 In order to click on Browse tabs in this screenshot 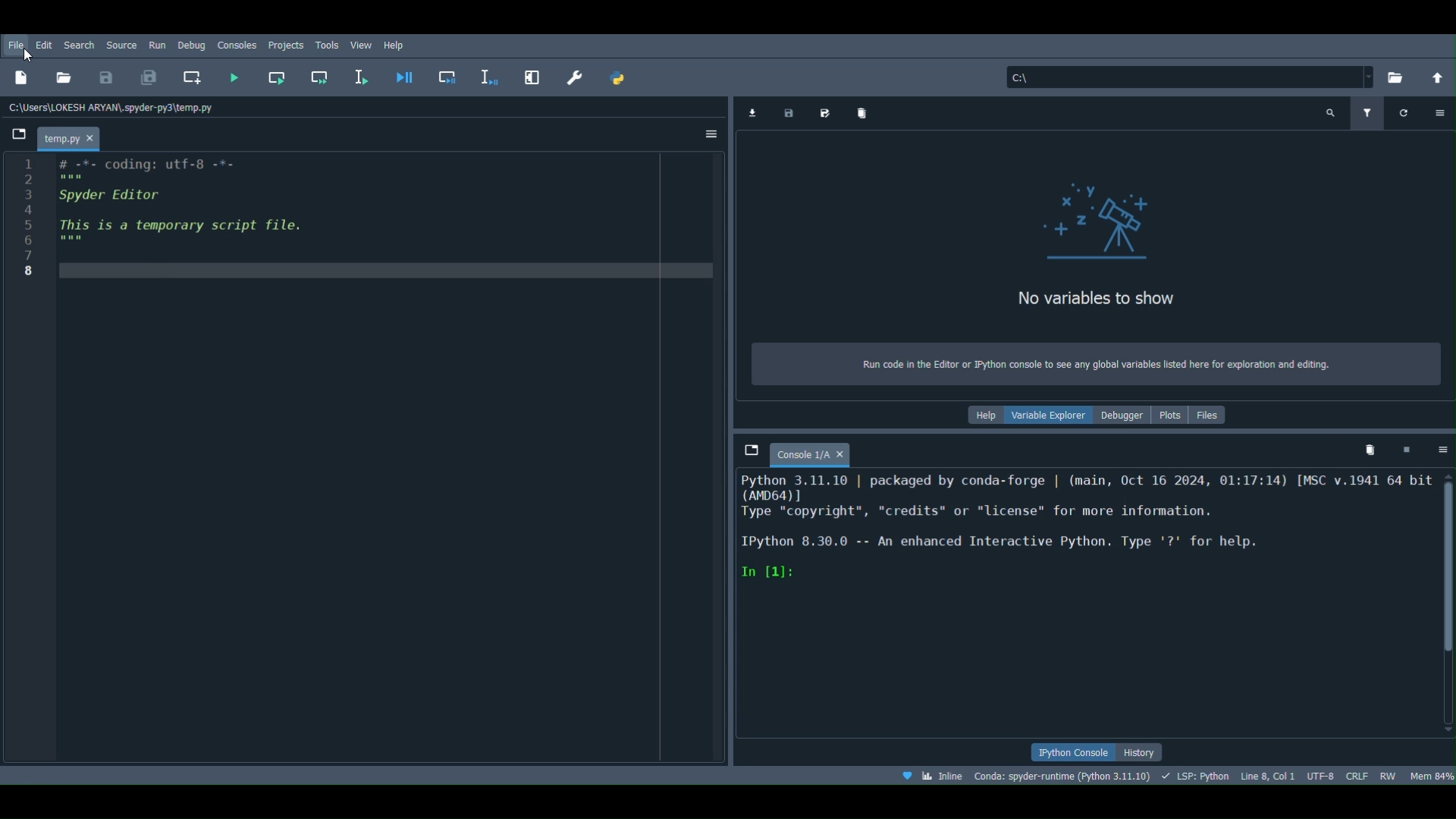, I will do `click(749, 447)`.